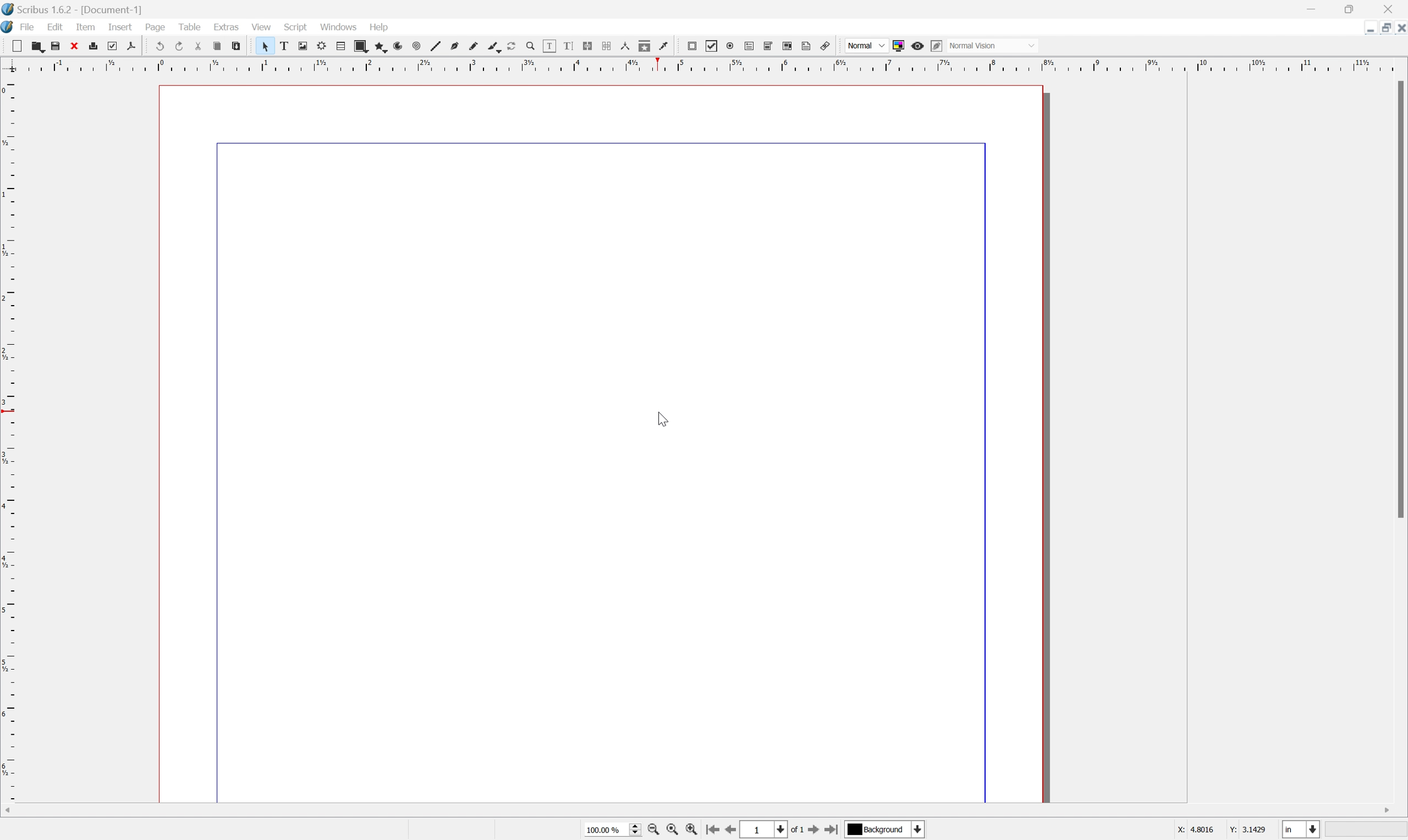 Image resolution: width=1408 pixels, height=840 pixels. Describe the element at coordinates (1222, 832) in the screenshot. I see `coordinates` at that location.